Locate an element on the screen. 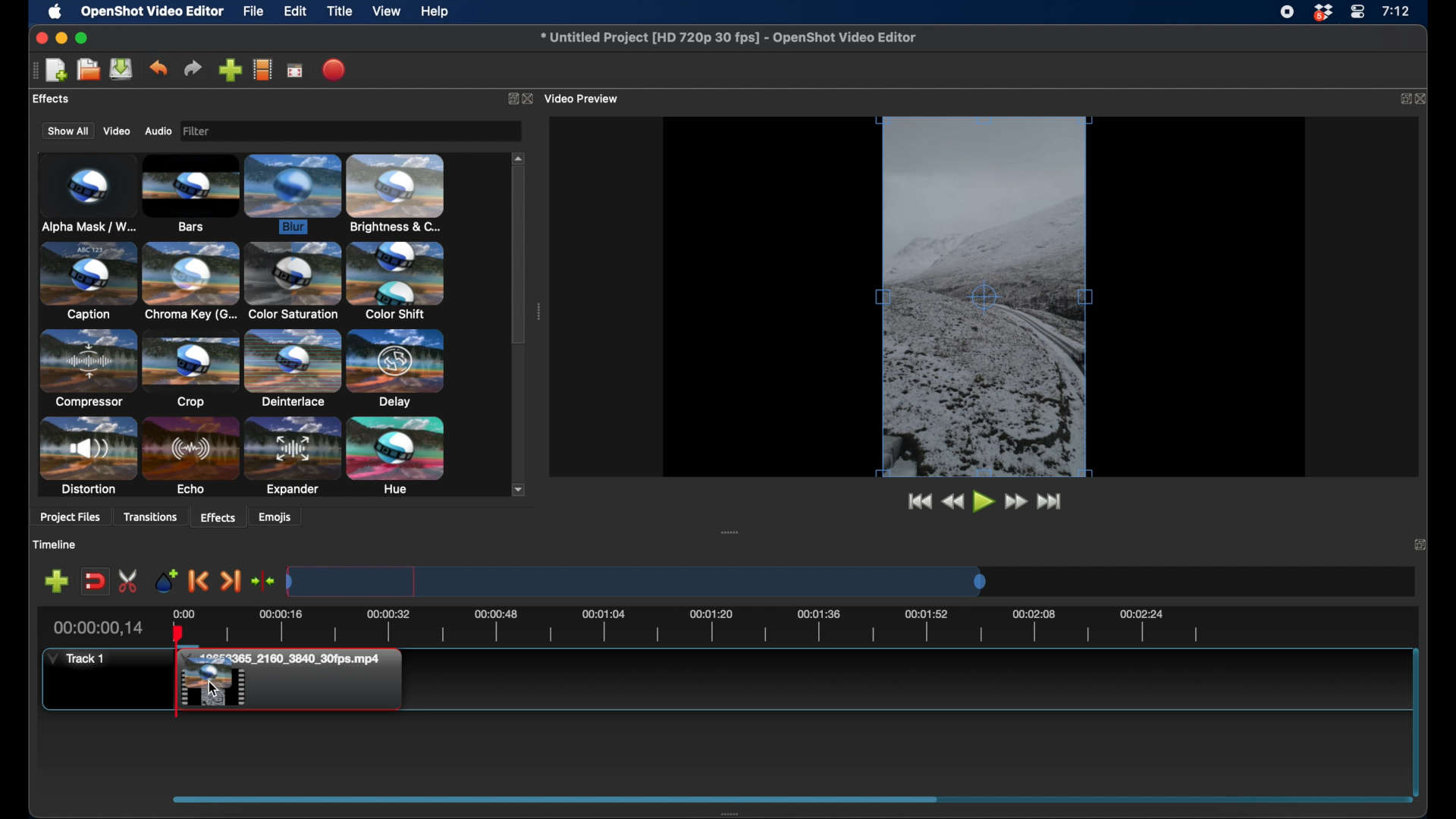  drag handle is located at coordinates (555, 798).